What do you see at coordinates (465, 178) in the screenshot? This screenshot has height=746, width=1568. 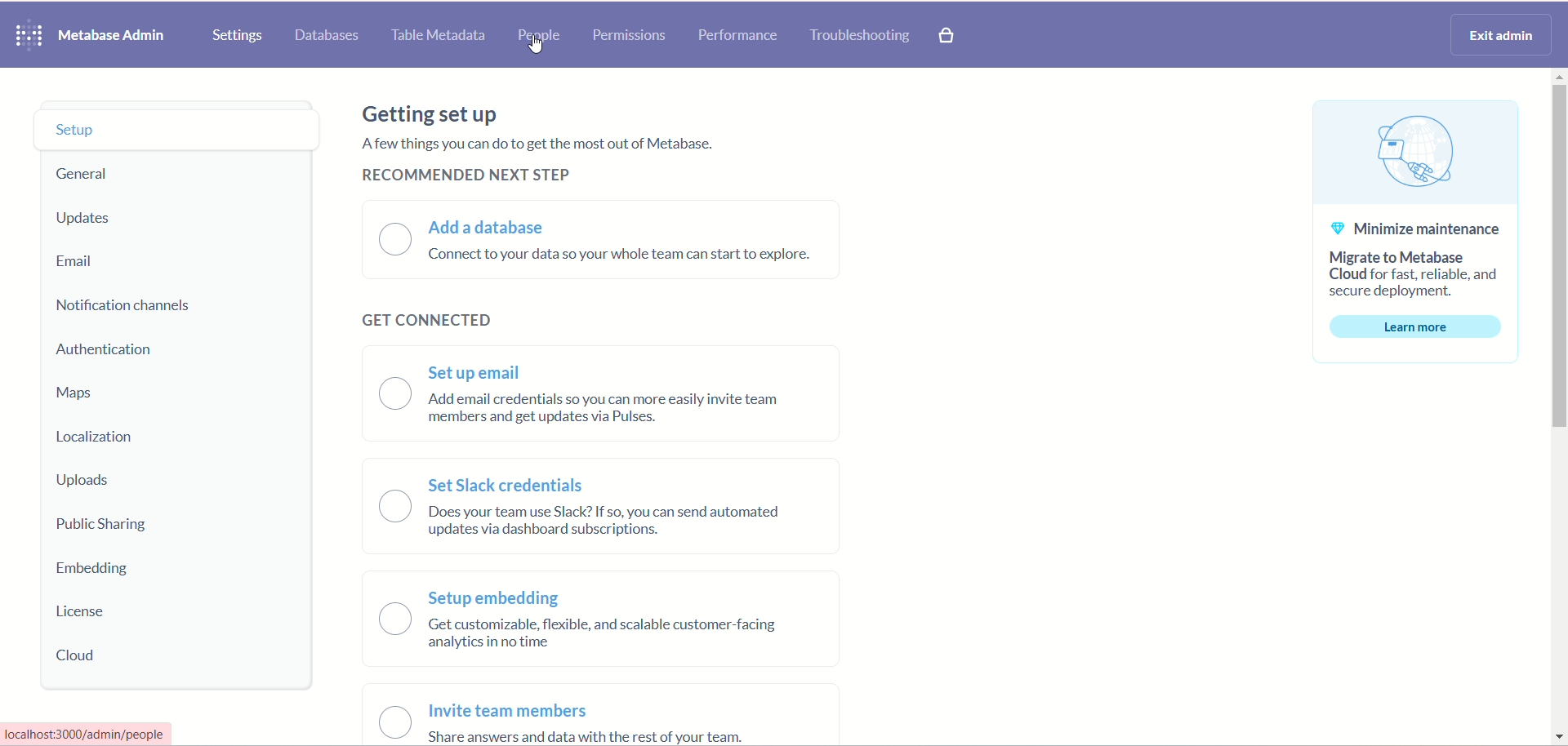 I see `recommended next step` at bounding box center [465, 178].